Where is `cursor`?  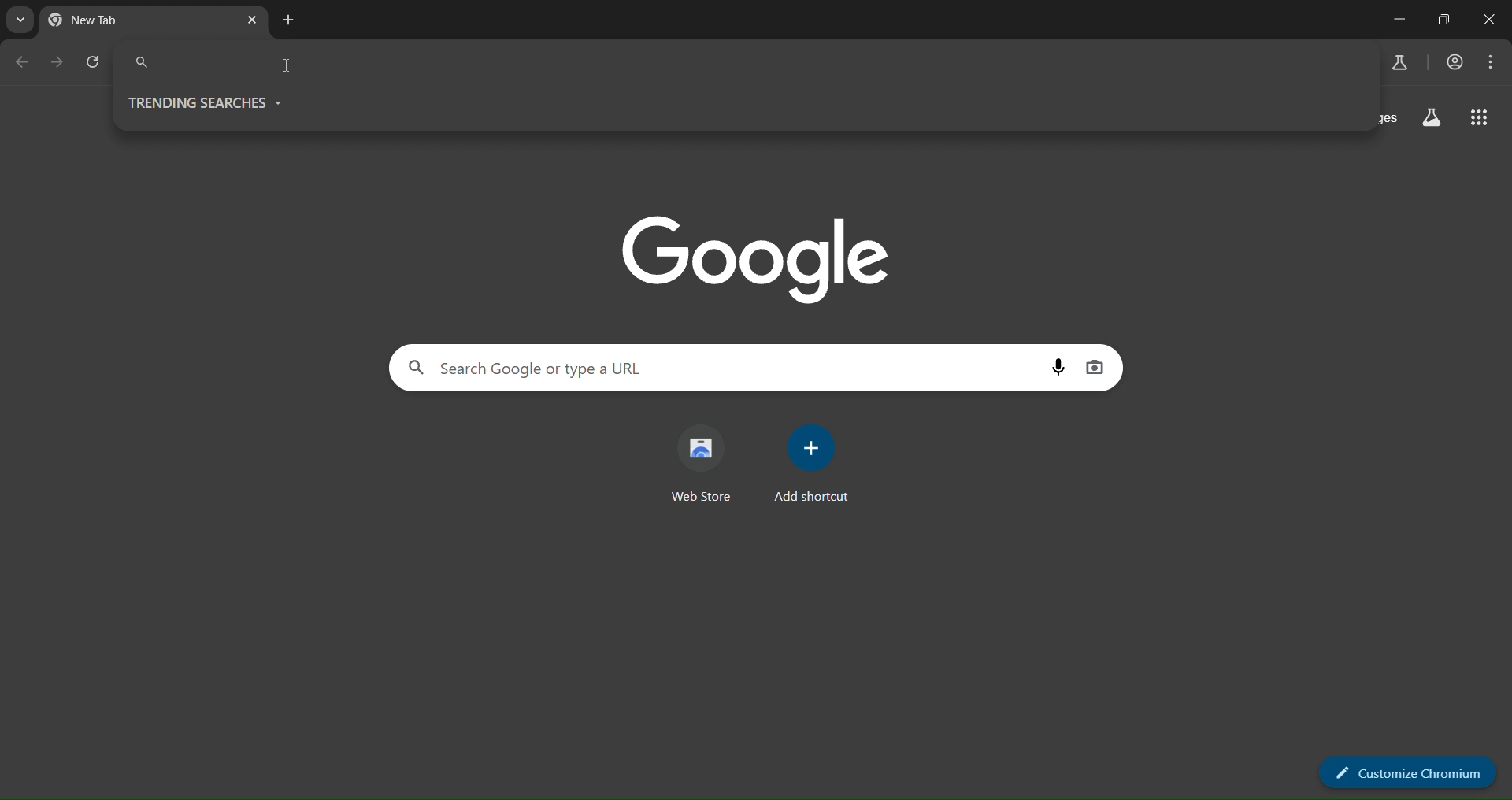
cursor is located at coordinates (289, 68).